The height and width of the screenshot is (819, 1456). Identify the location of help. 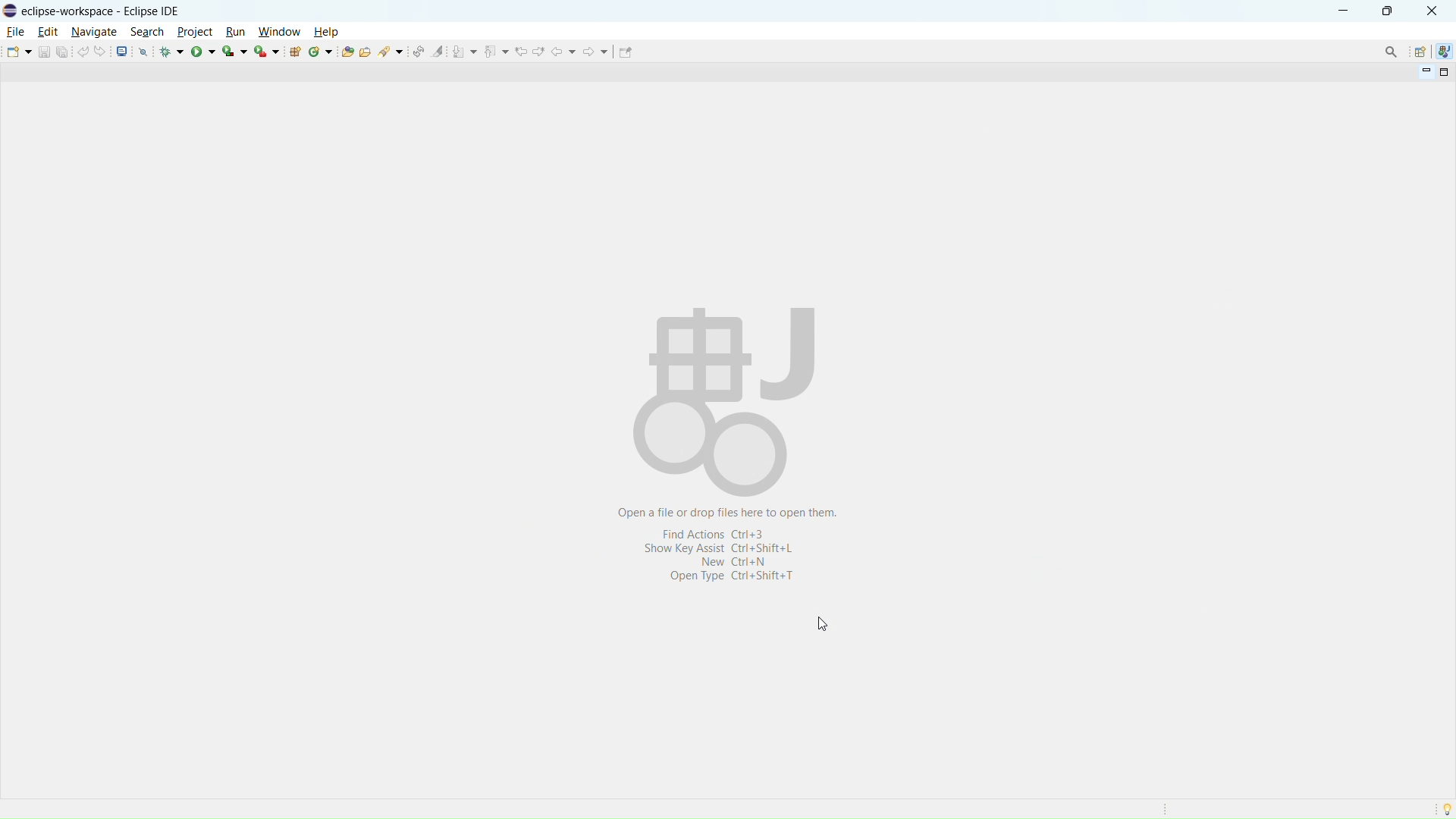
(325, 31).